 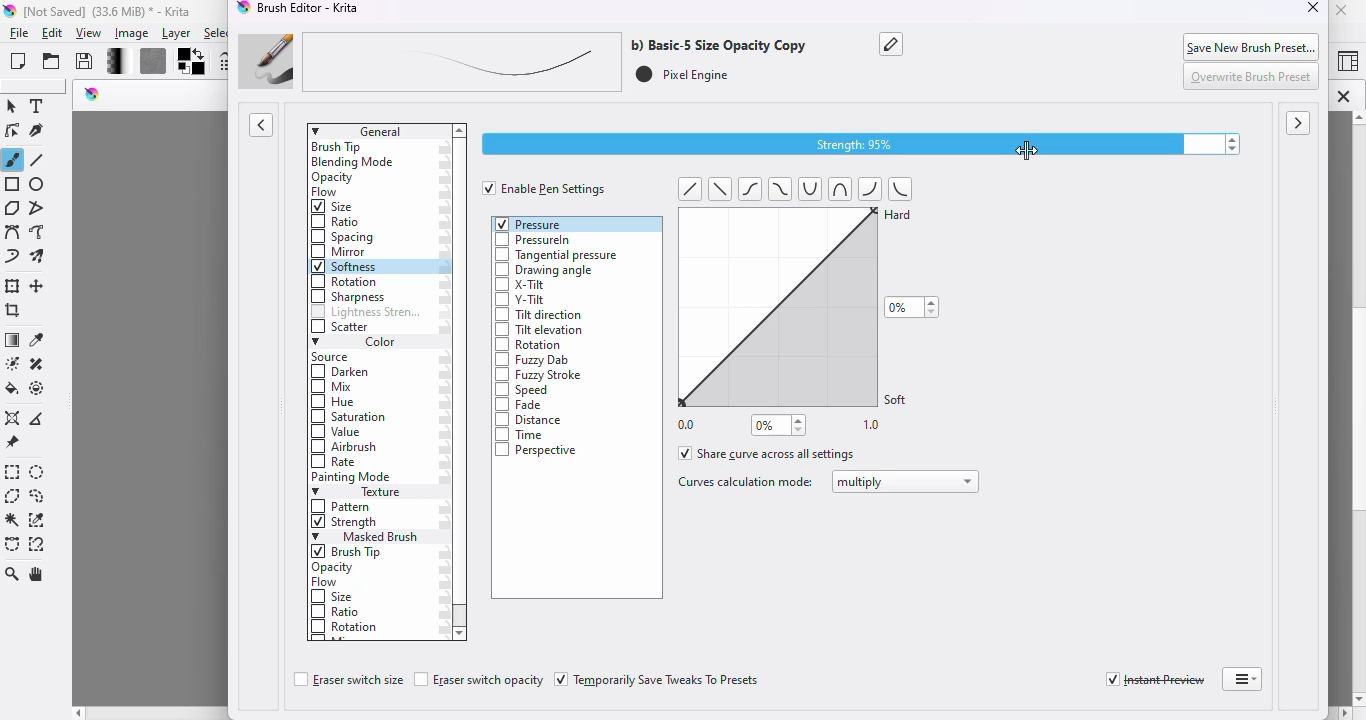 I want to click on close, so click(x=1343, y=10).